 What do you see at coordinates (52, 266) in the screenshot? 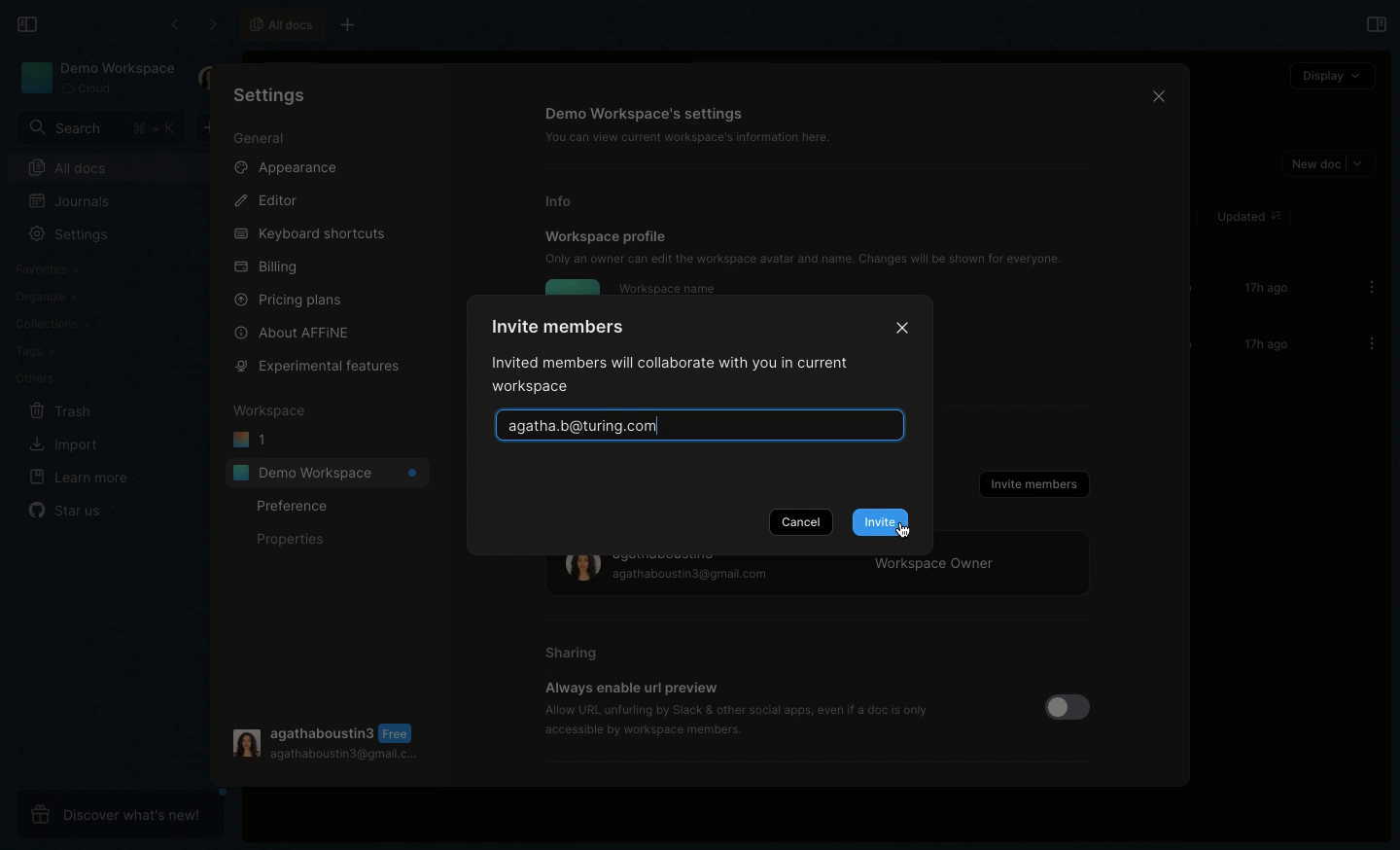
I see `Favorites` at bounding box center [52, 266].